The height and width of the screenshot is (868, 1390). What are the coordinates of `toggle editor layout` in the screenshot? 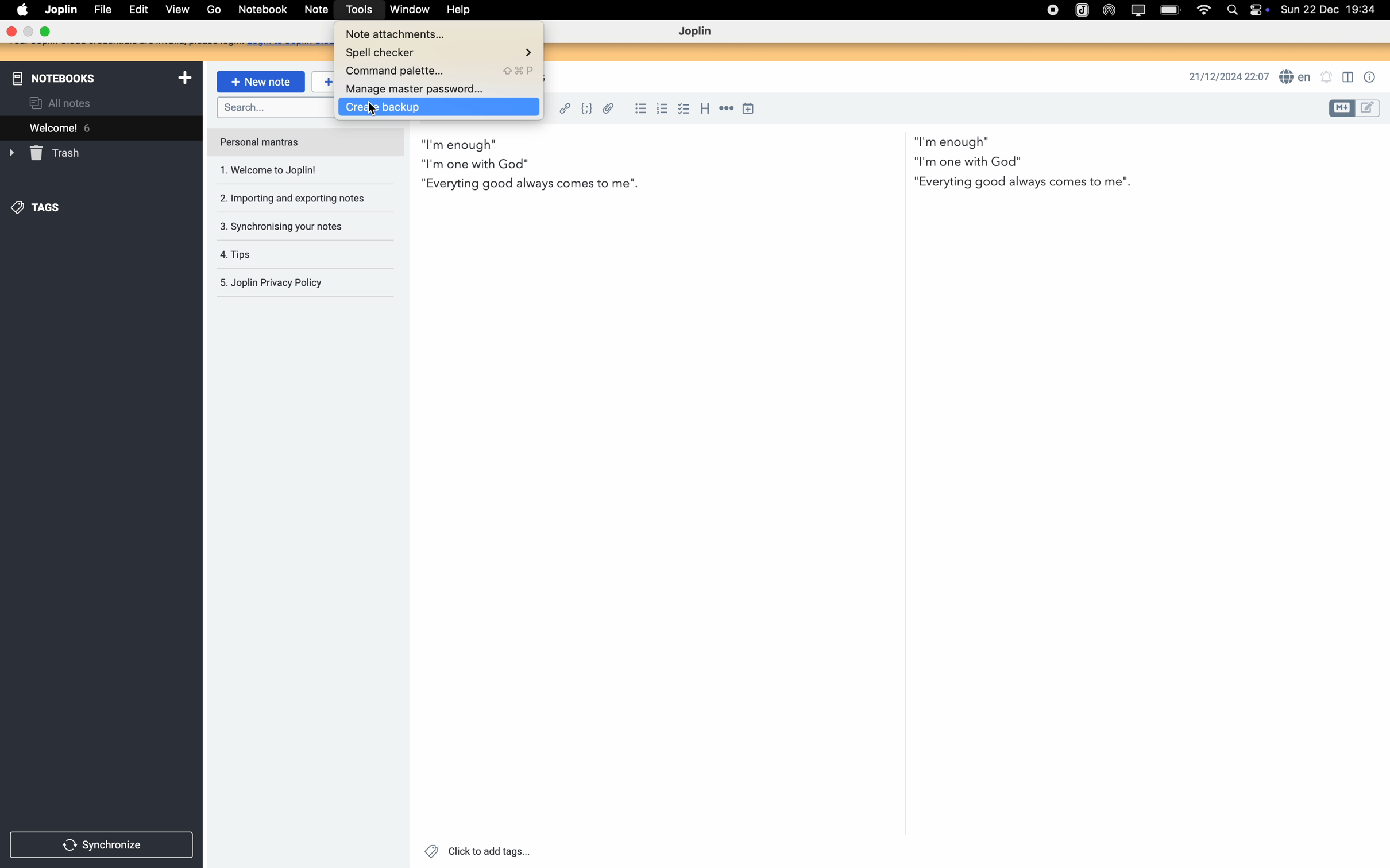 It's located at (1369, 108).